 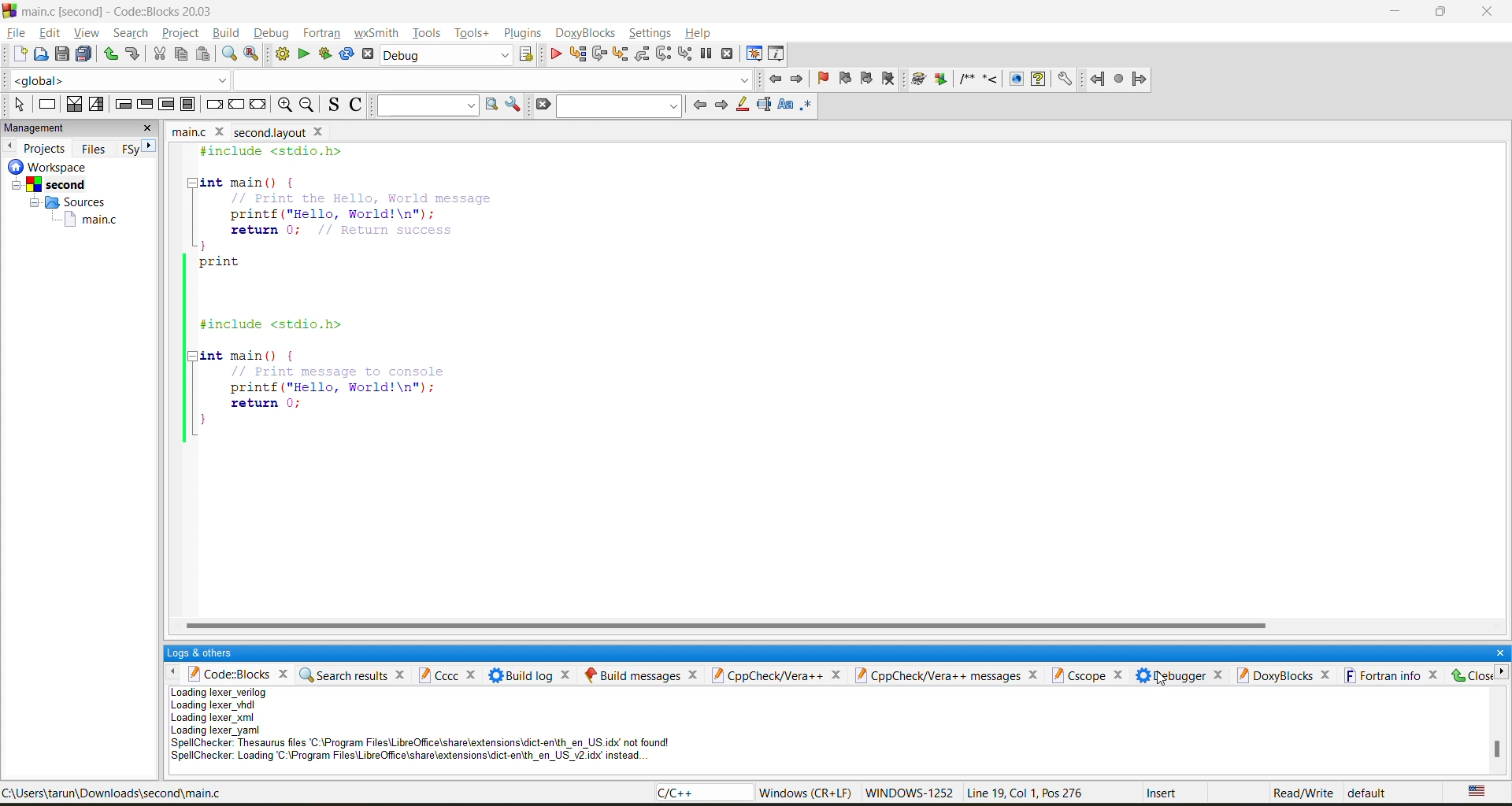 What do you see at coordinates (487, 104) in the screenshot?
I see `run search` at bounding box center [487, 104].